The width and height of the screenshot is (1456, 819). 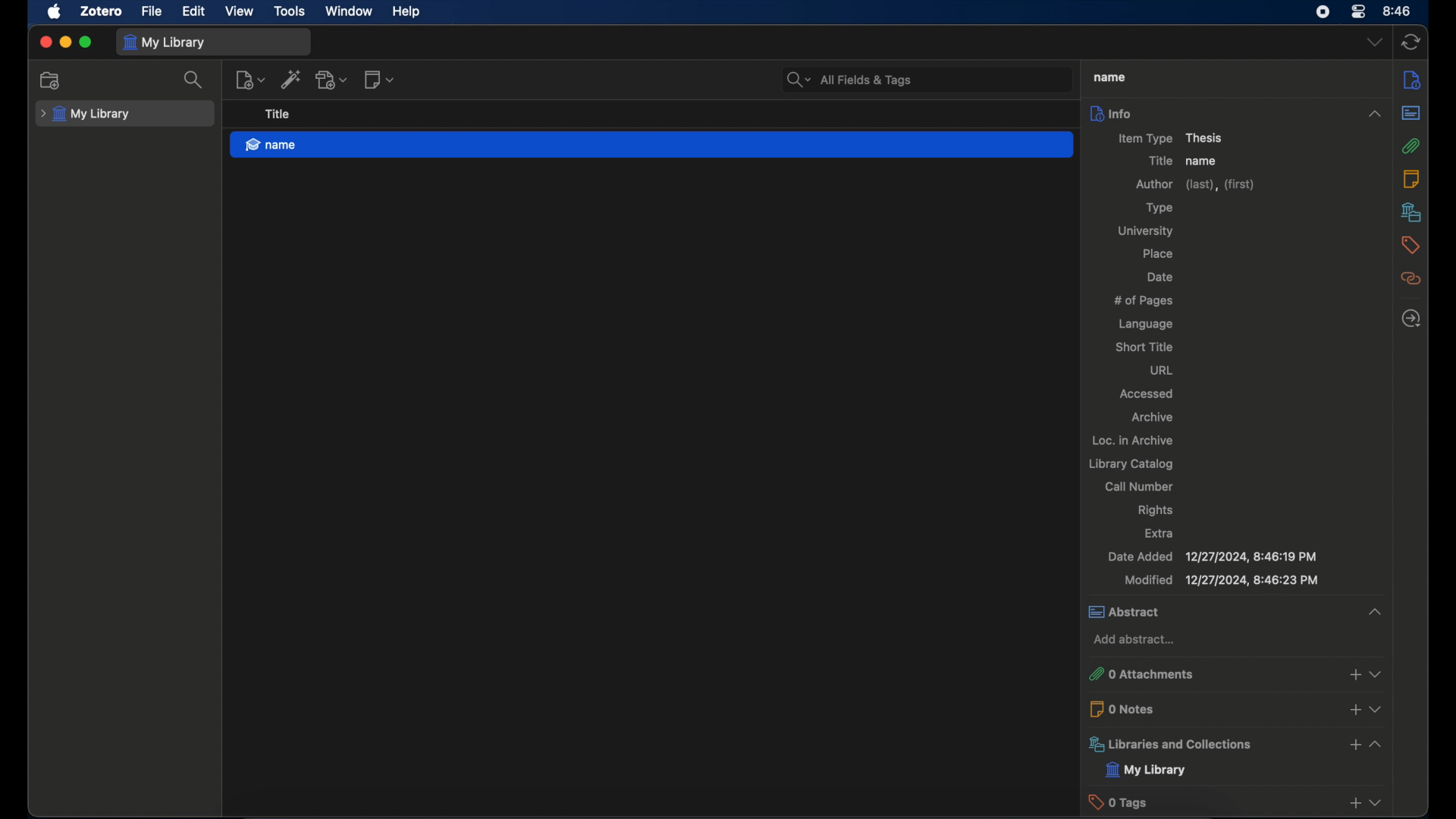 What do you see at coordinates (333, 80) in the screenshot?
I see `add attachment` at bounding box center [333, 80].